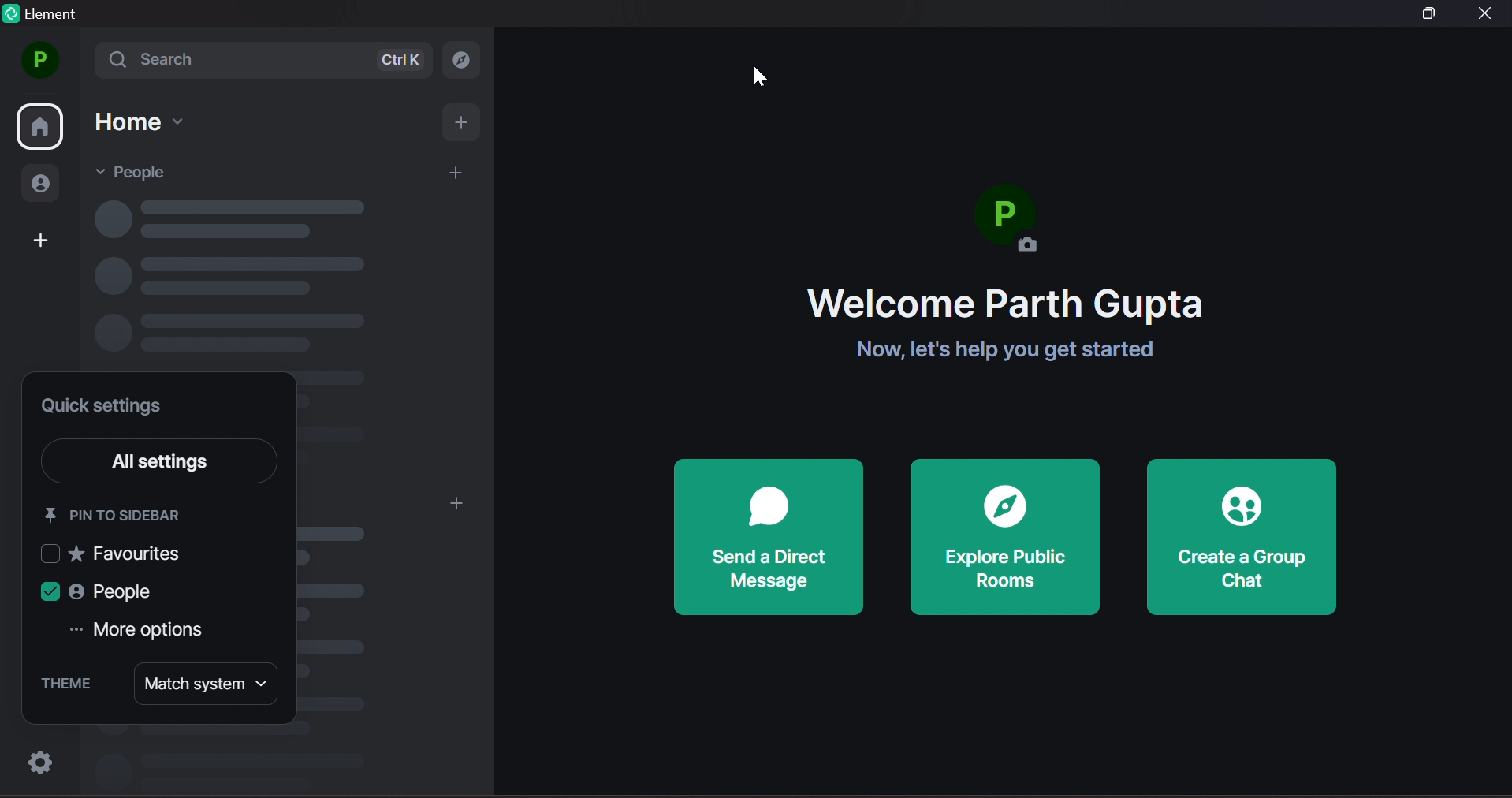  What do you see at coordinates (65, 684) in the screenshot?
I see `THEME` at bounding box center [65, 684].